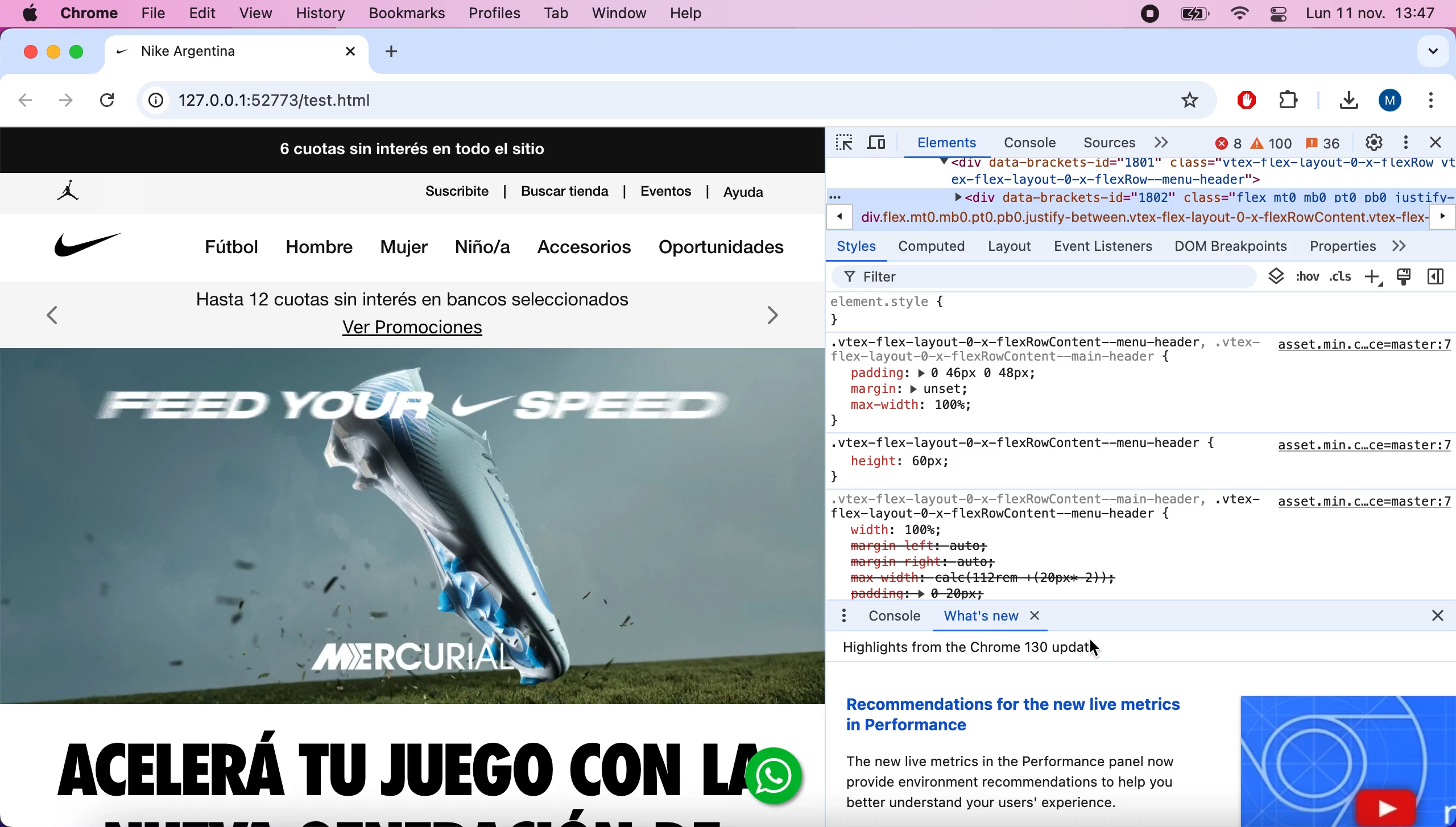 This screenshot has height=827, width=1456. I want to click on new style rules, so click(1373, 275).